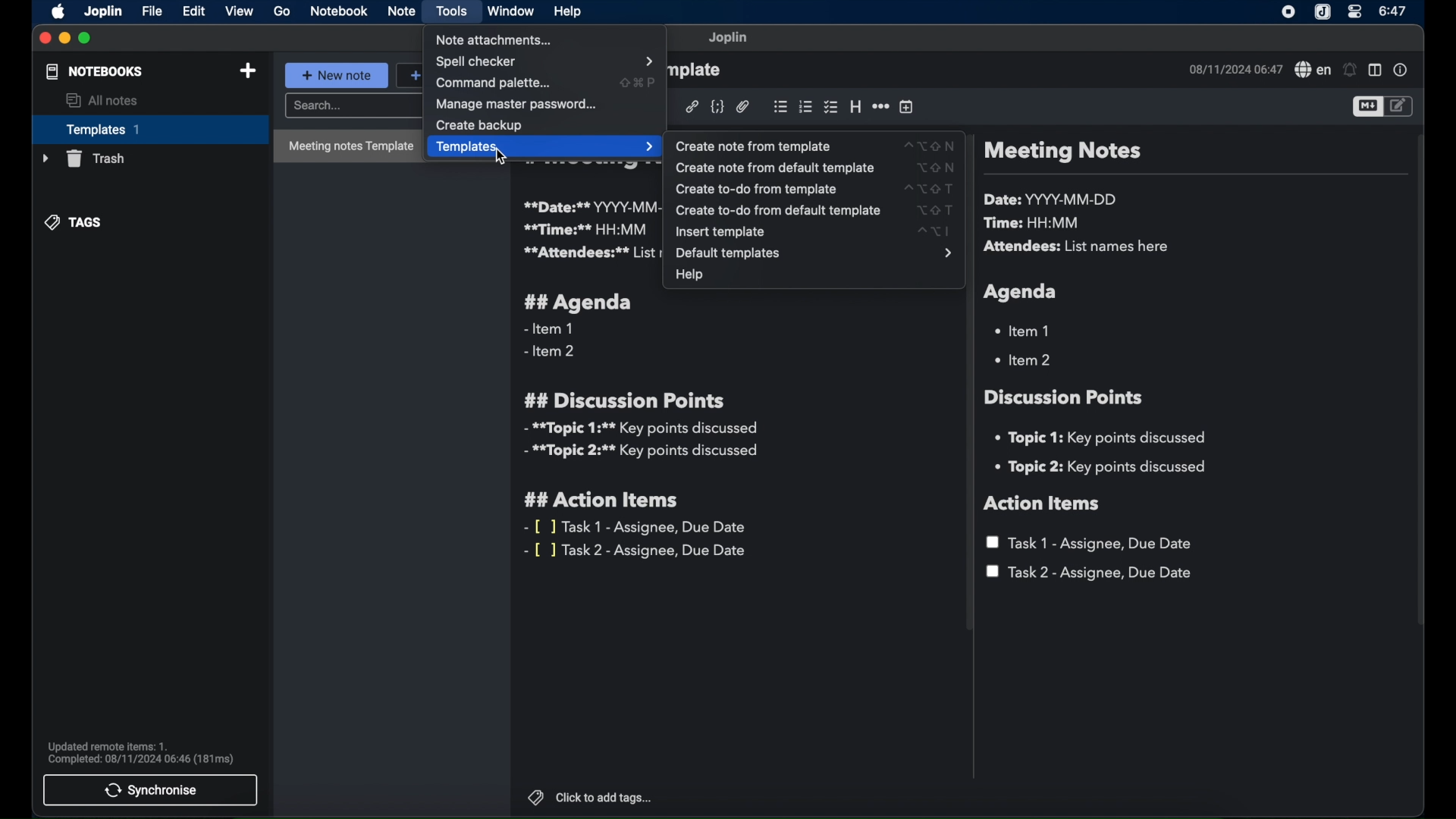 Image resolution: width=1456 pixels, height=819 pixels. I want to click on task 2 assignee, due date, so click(1090, 573).